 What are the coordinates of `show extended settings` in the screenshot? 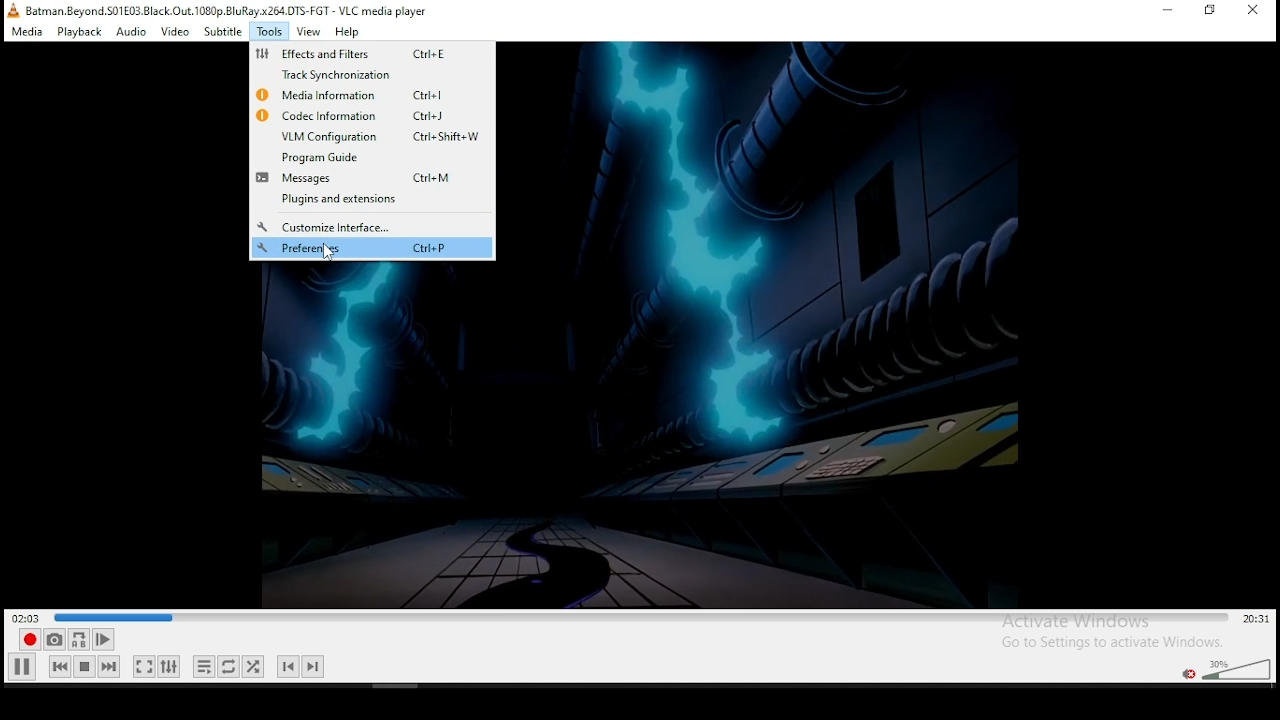 It's located at (168, 667).